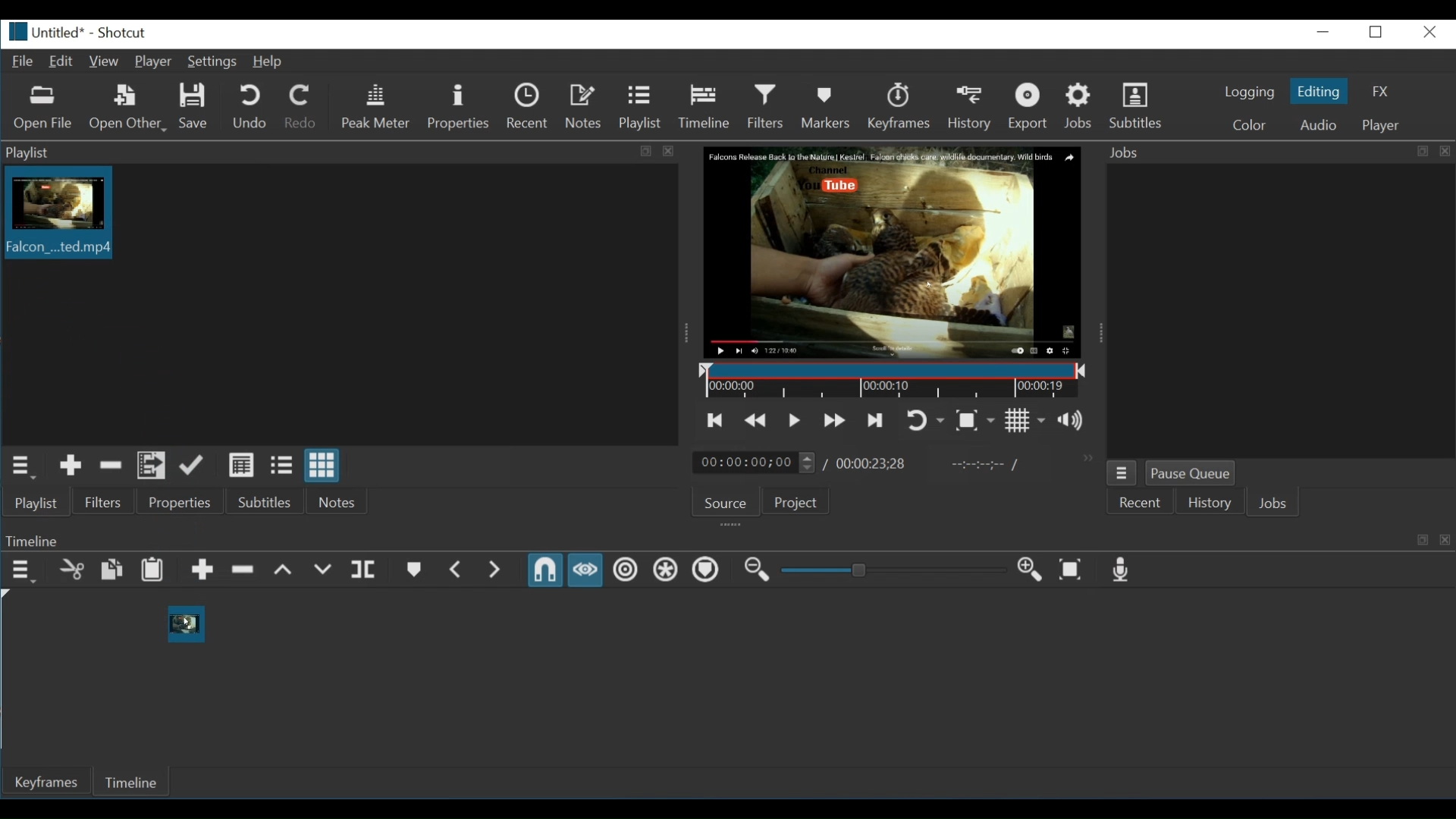 The width and height of the screenshot is (1456, 819). I want to click on Toggle player looping, so click(926, 421).